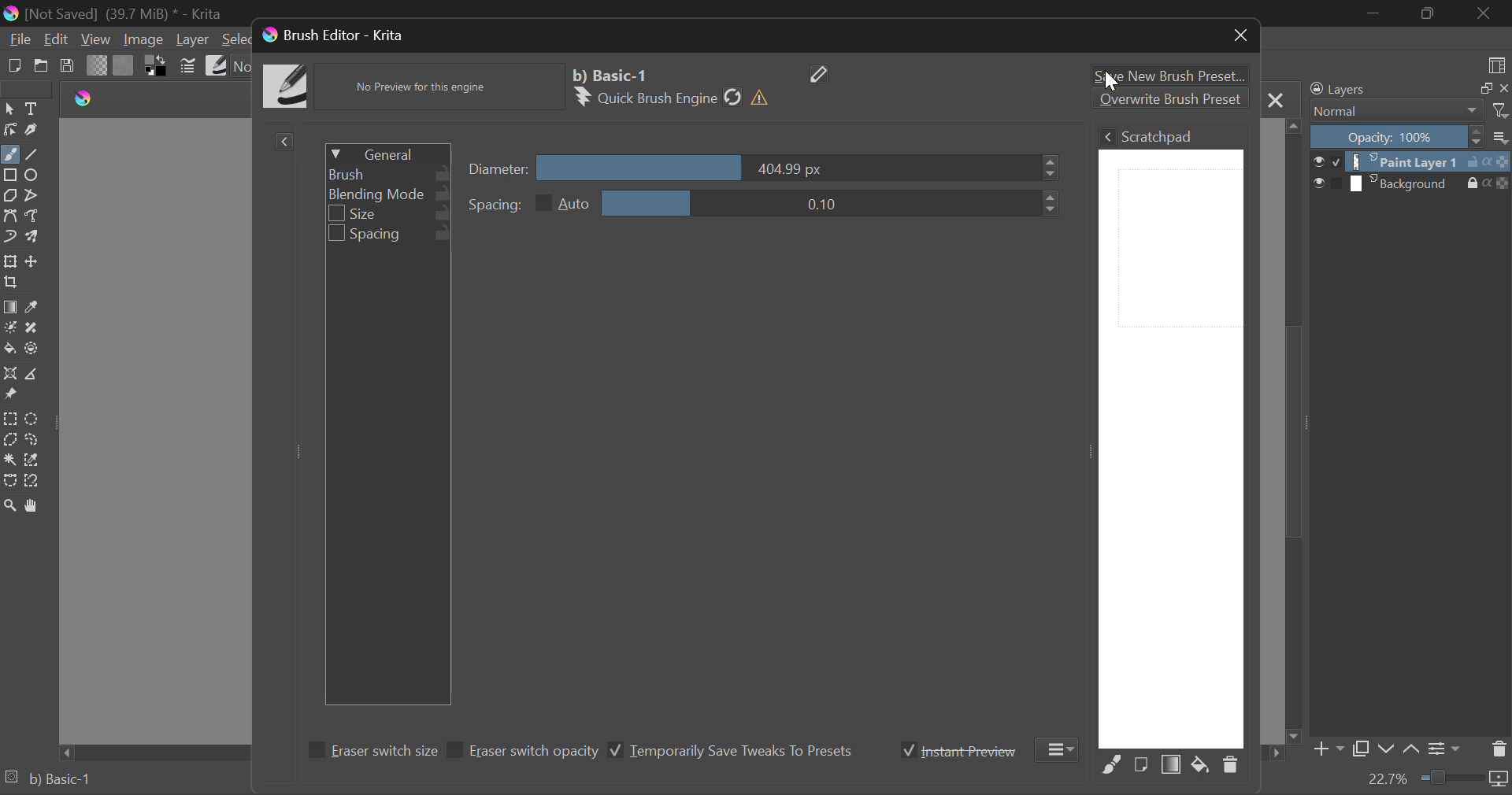 The image size is (1512, 795). Describe the element at coordinates (1199, 766) in the screenshot. I see `Fill area with background color` at that location.